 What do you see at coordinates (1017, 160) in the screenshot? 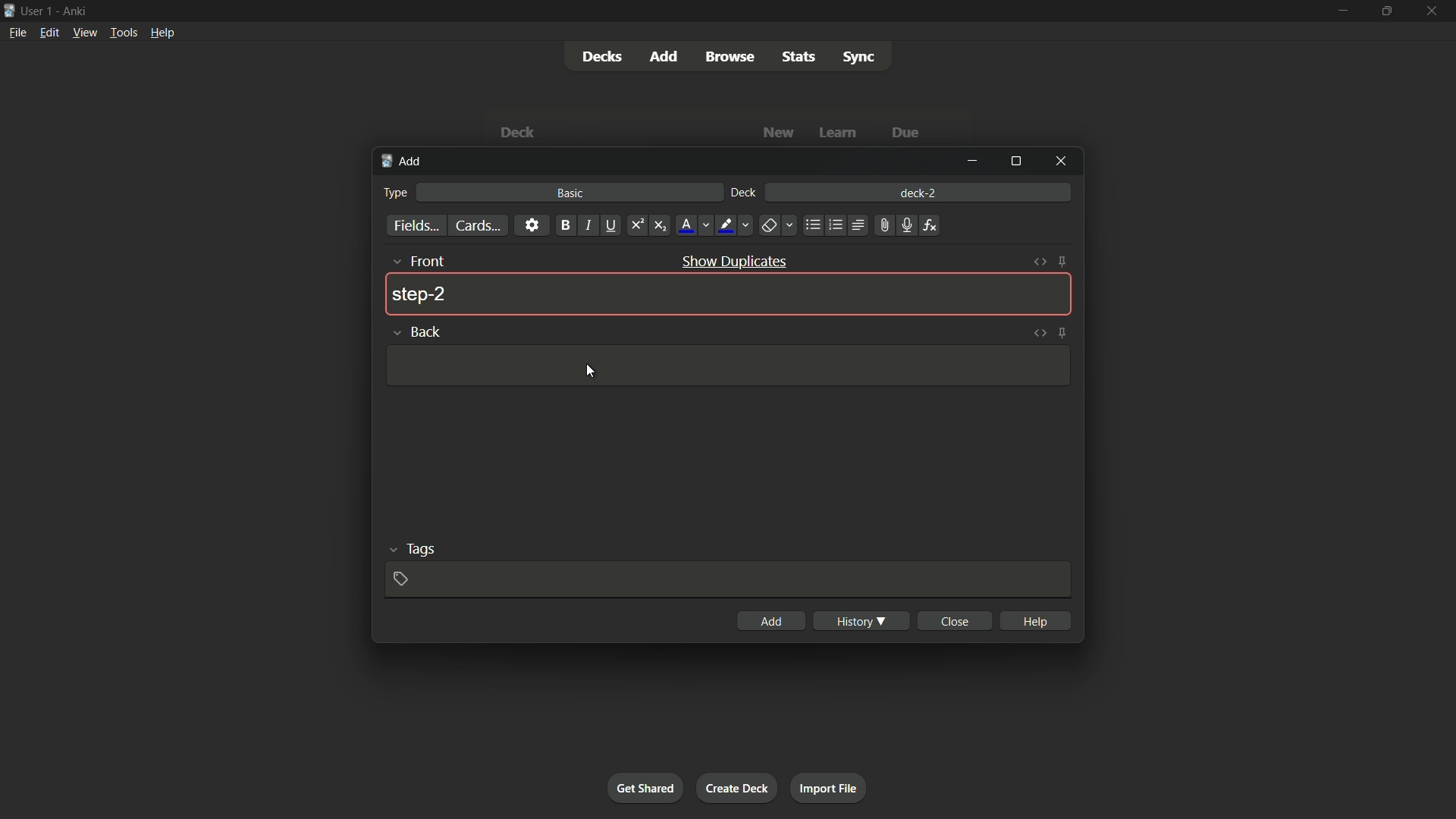
I see `maximize` at bounding box center [1017, 160].